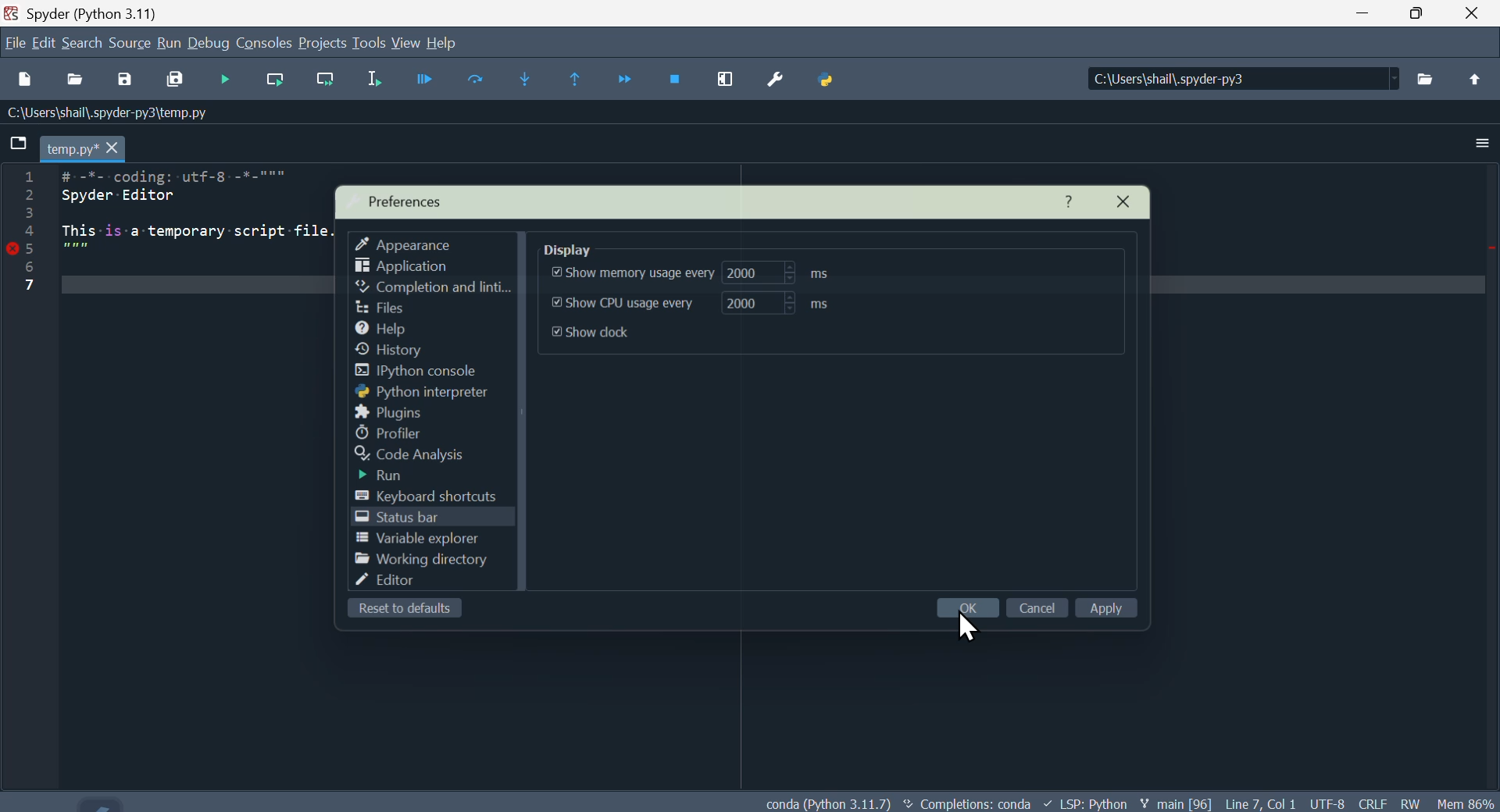  What do you see at coordinates (102, 114) in the screenshot?
I see `:\Users\shal\.spyder-py3\temp.py` at bounding box center [102, 114].